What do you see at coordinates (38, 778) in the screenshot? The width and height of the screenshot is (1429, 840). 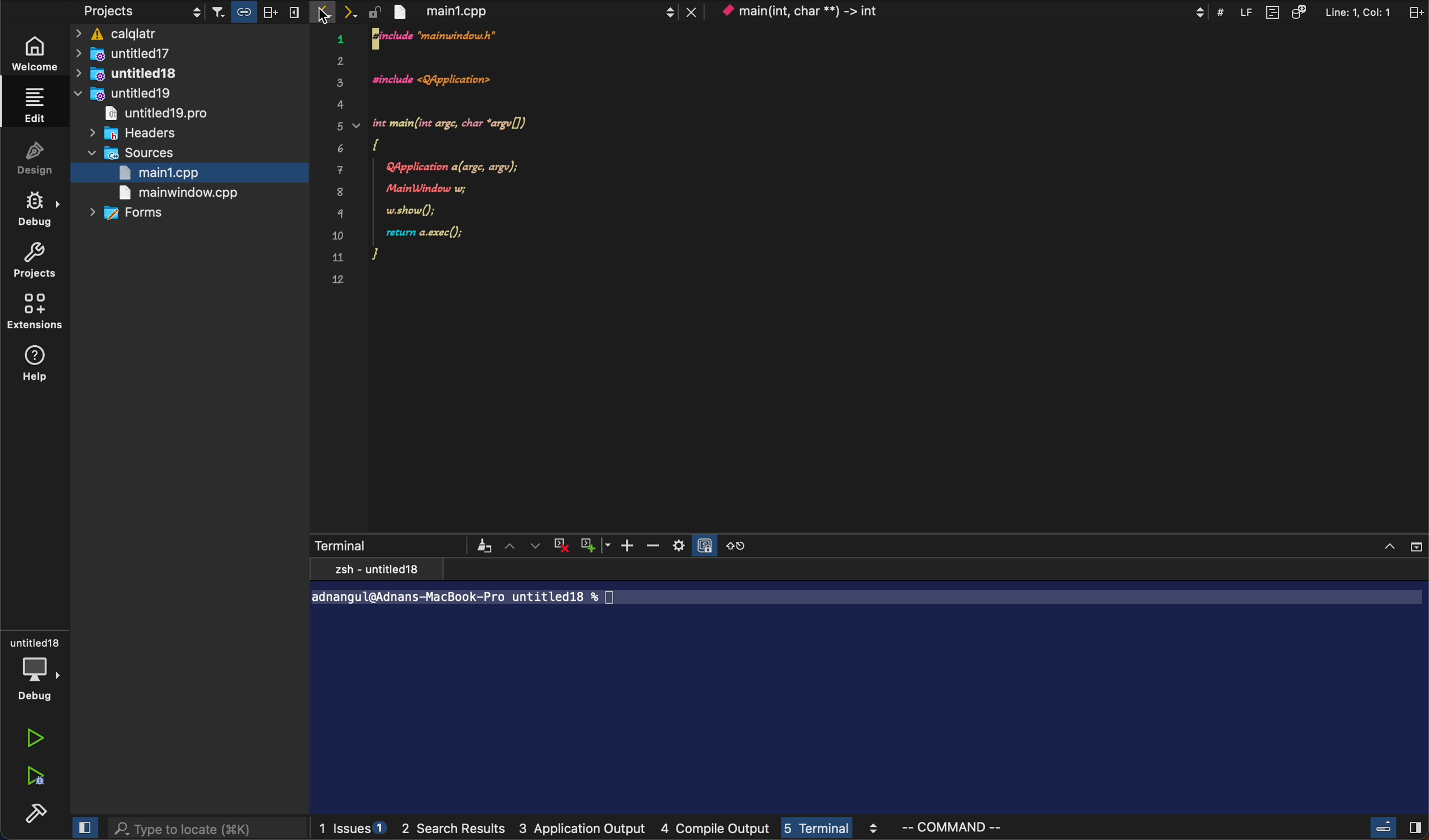 I see `run debug` at bounding box center [38, 778].